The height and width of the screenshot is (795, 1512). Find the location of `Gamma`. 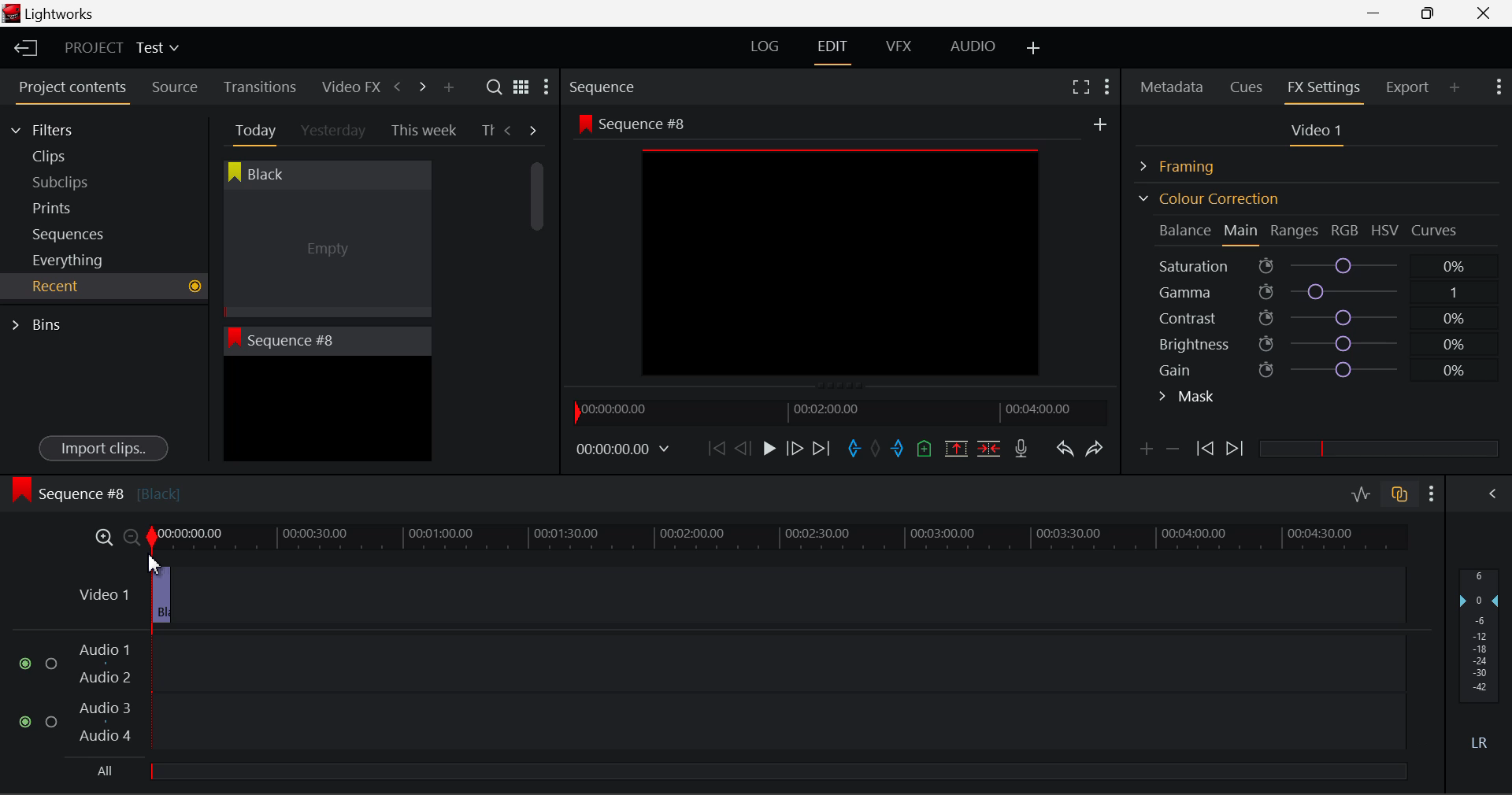

Gamma is located at coordinates (1320, 292).